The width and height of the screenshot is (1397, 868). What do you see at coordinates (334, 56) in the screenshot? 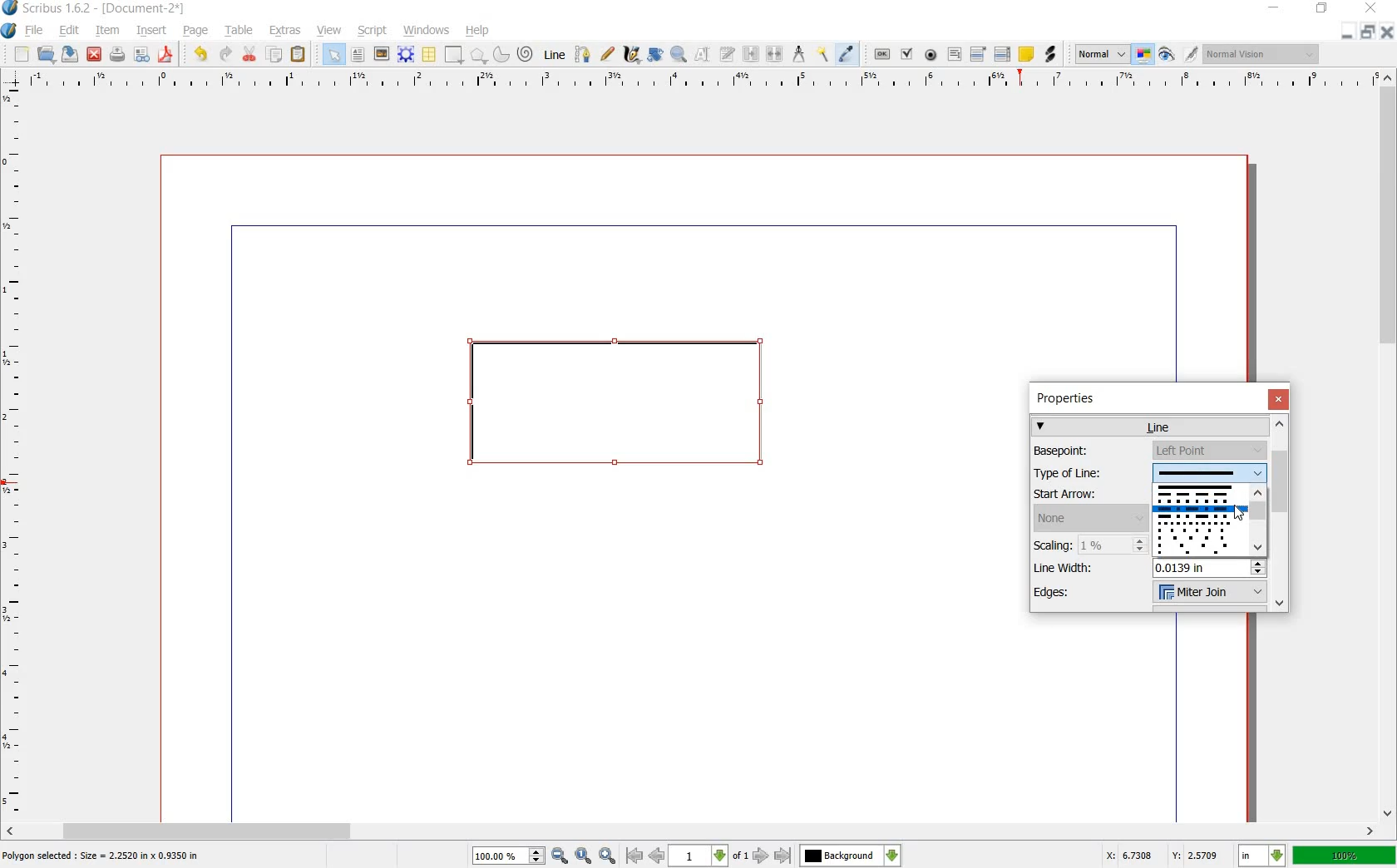
I see `SELECT` at bounding box center [334, 56].